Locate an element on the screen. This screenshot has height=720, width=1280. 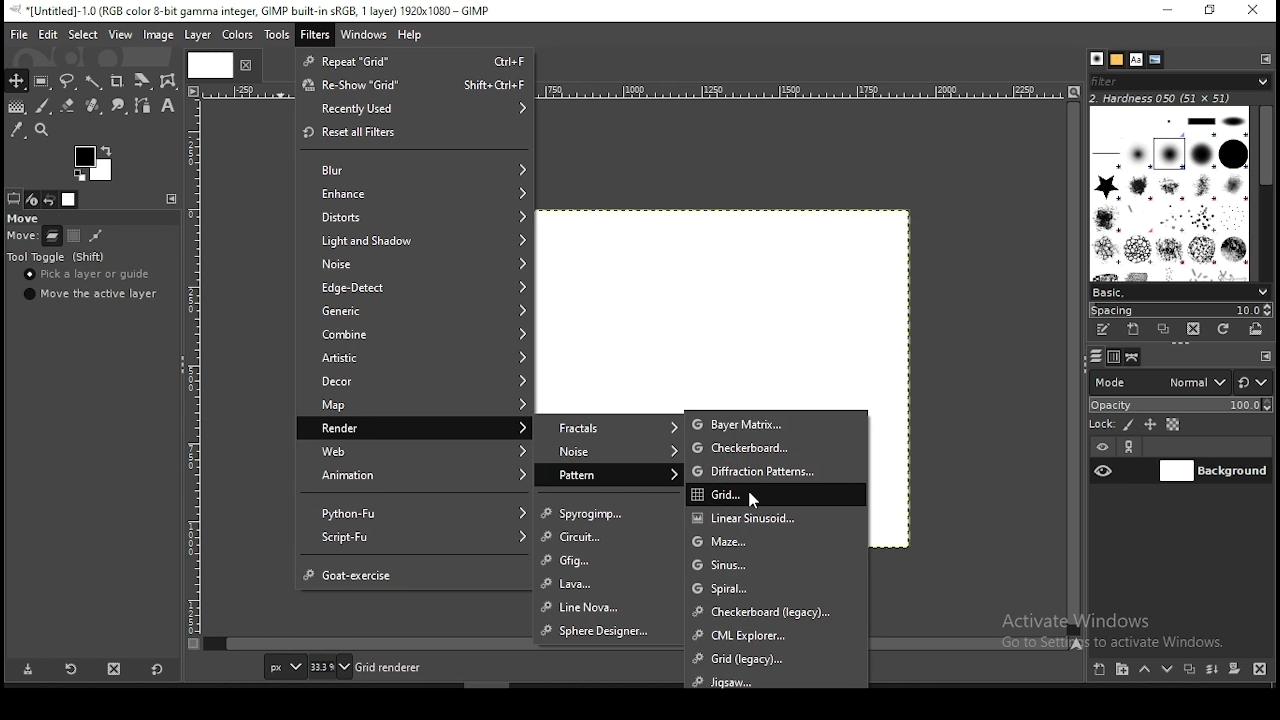
select is located at coordinates (80, 34).